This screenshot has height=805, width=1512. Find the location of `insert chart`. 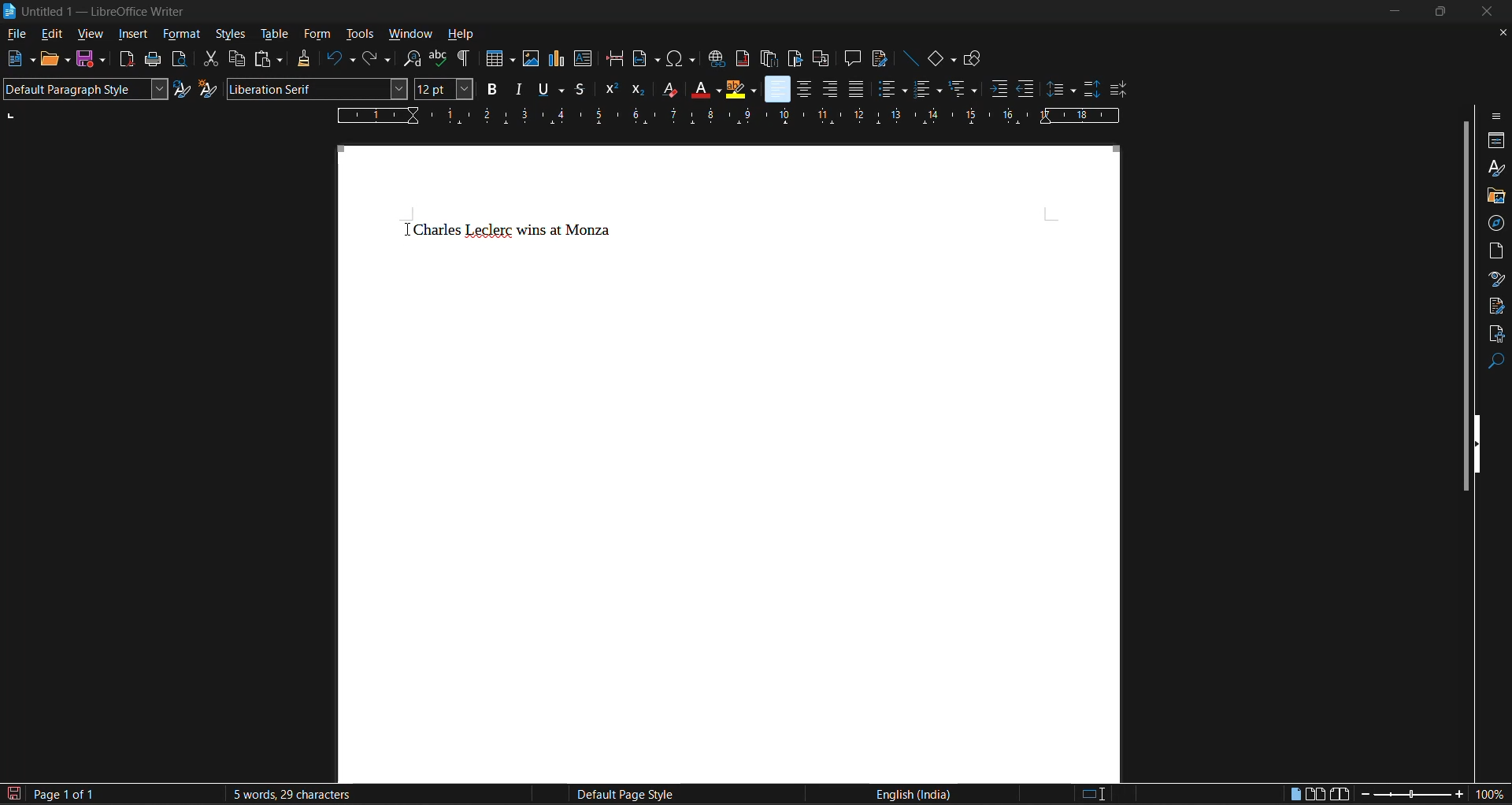

insert chart is located at coordinates (559, 59).